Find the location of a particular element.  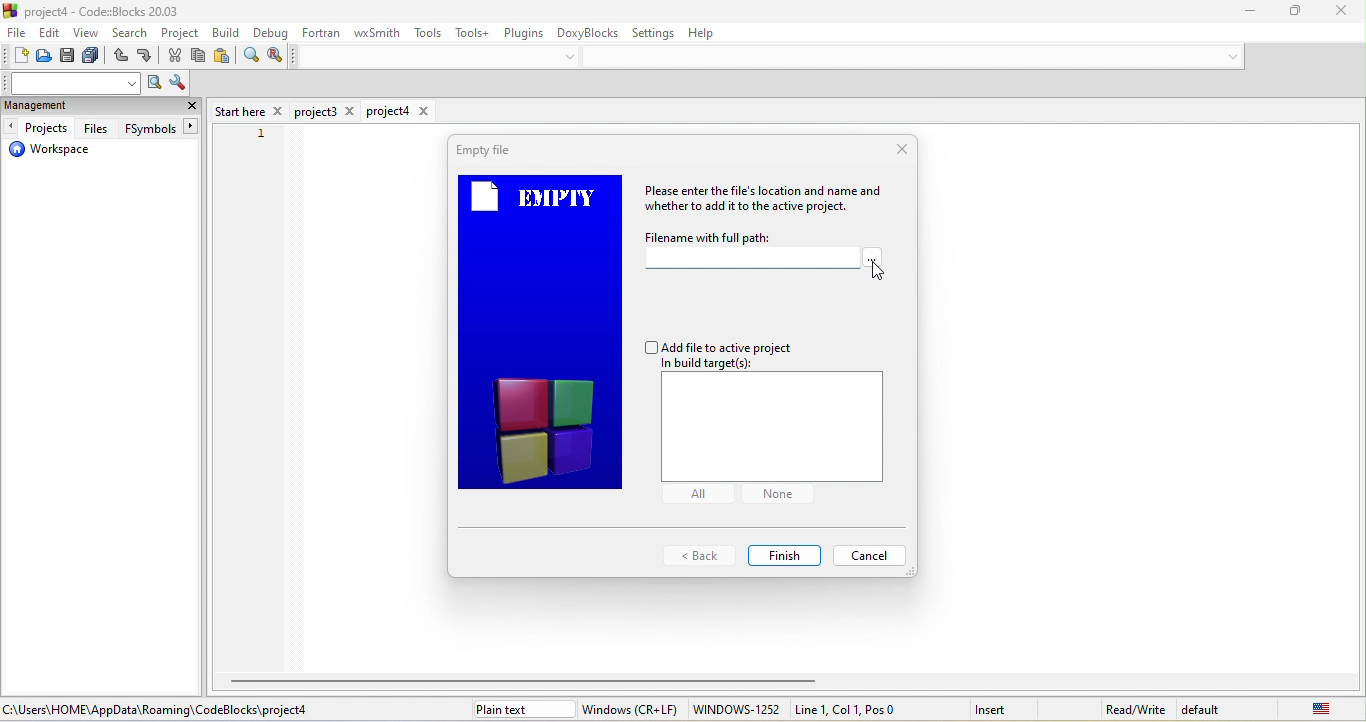

debug is located at coordinates (269, 34).